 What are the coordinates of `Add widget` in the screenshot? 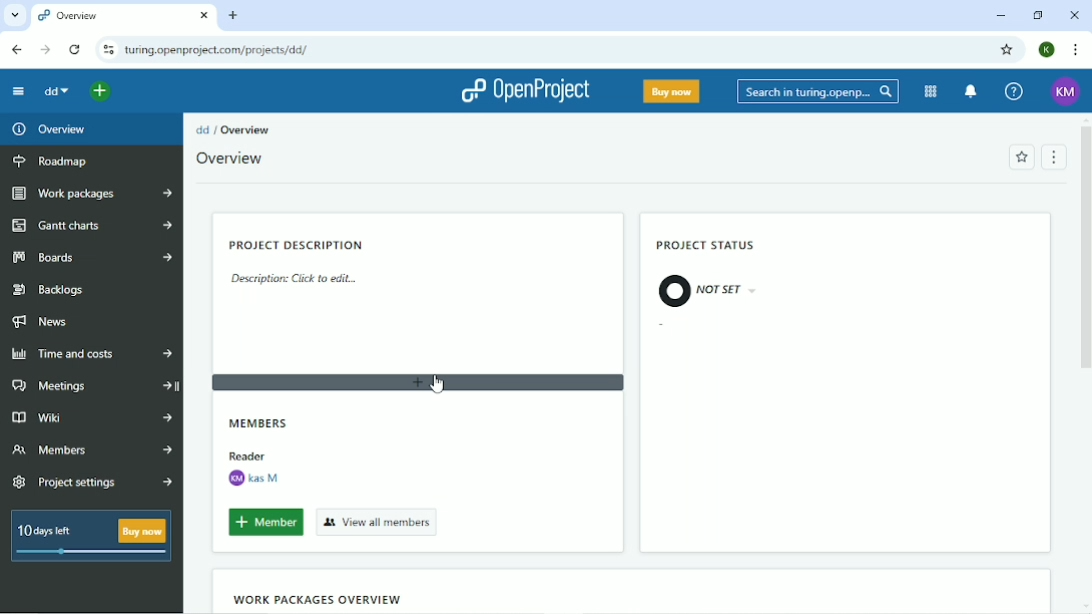 It's located at (418, 383).